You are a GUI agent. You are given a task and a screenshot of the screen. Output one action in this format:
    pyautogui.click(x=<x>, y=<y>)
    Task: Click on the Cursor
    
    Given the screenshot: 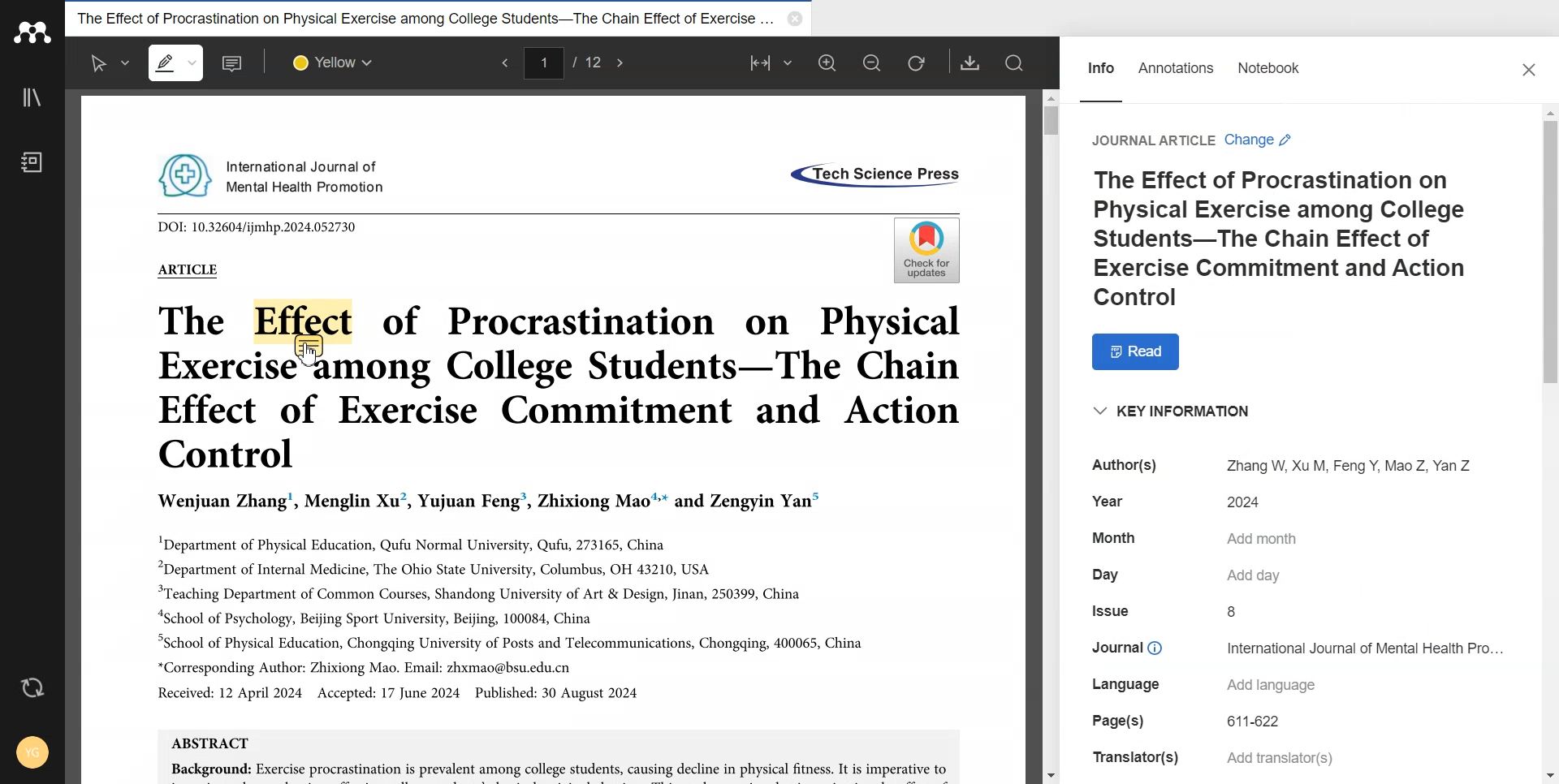 What is the action you would take?
    pyautogui.click(x=310, y=356)
    